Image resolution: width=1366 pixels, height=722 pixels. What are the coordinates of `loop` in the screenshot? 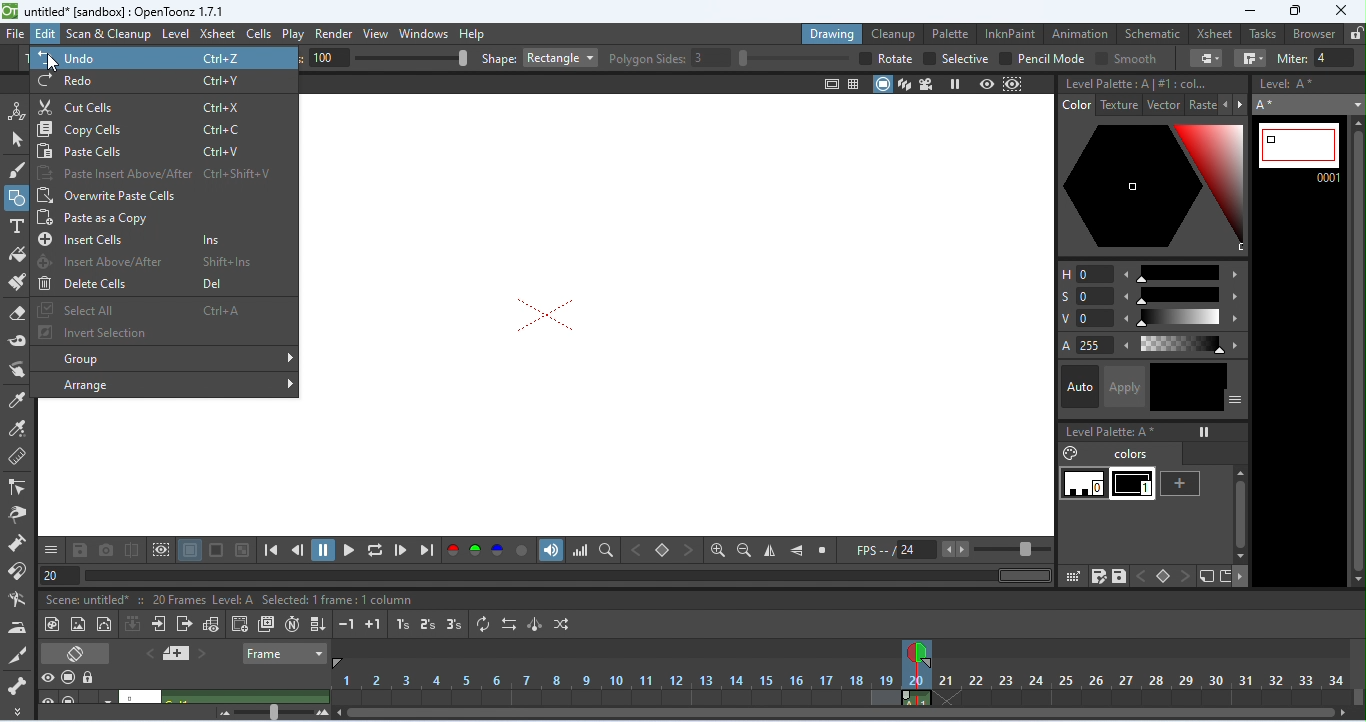 It's located at (374, 549).